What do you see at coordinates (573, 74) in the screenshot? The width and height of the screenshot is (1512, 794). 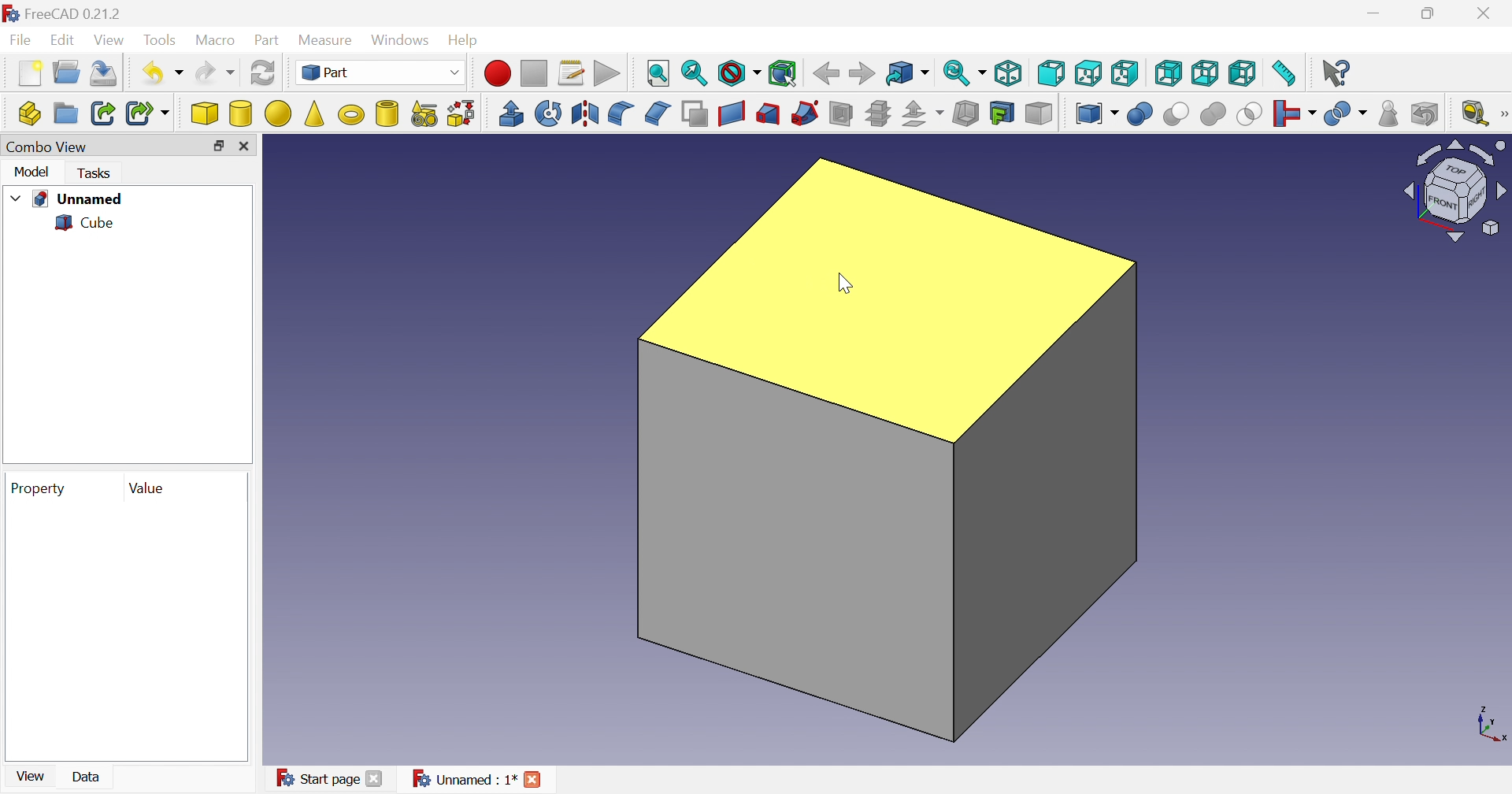 I see `Macros` at bounding box center [573, 74].